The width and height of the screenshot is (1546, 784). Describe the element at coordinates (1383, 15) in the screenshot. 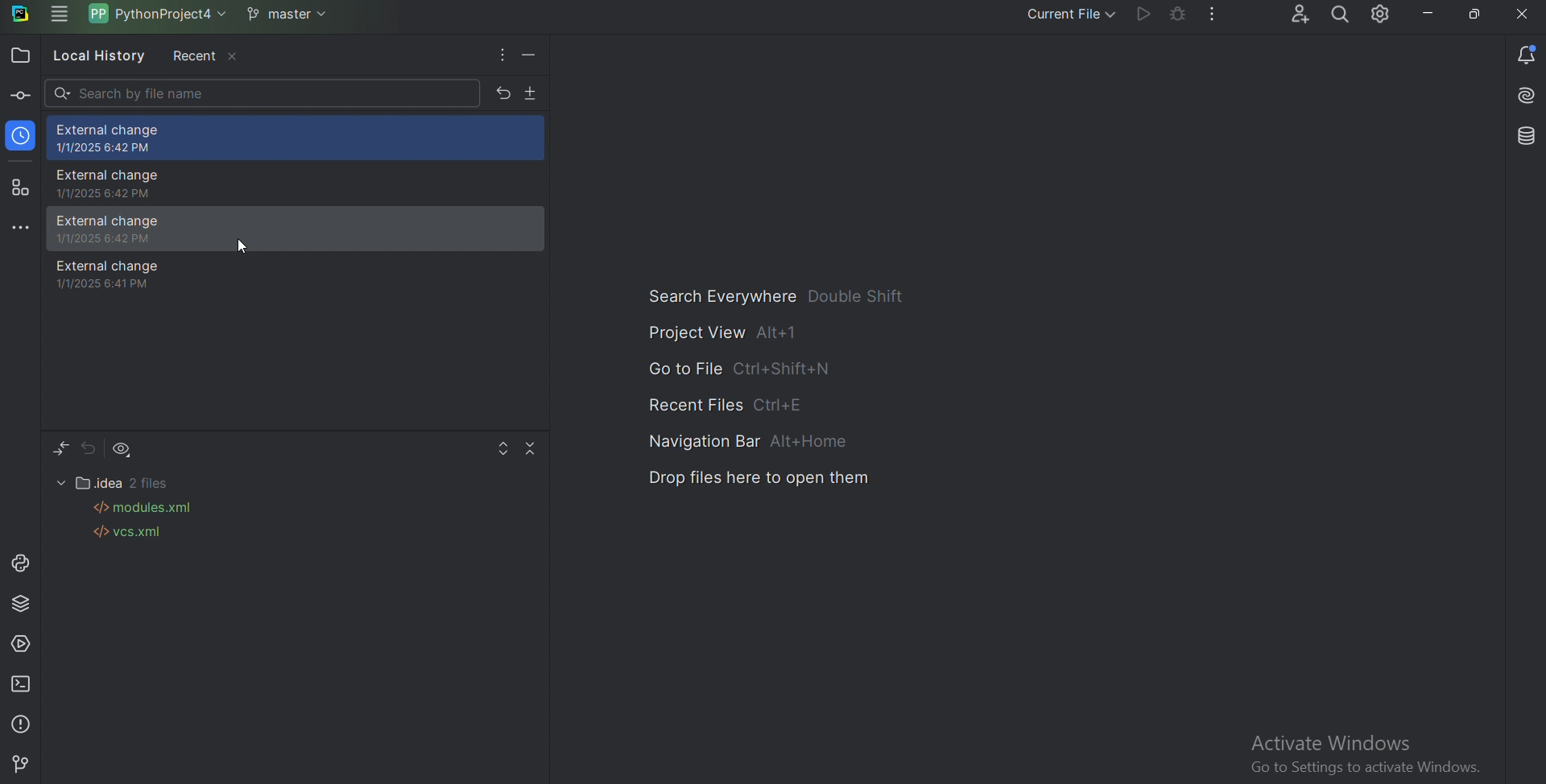

I see `Settings` at that location.